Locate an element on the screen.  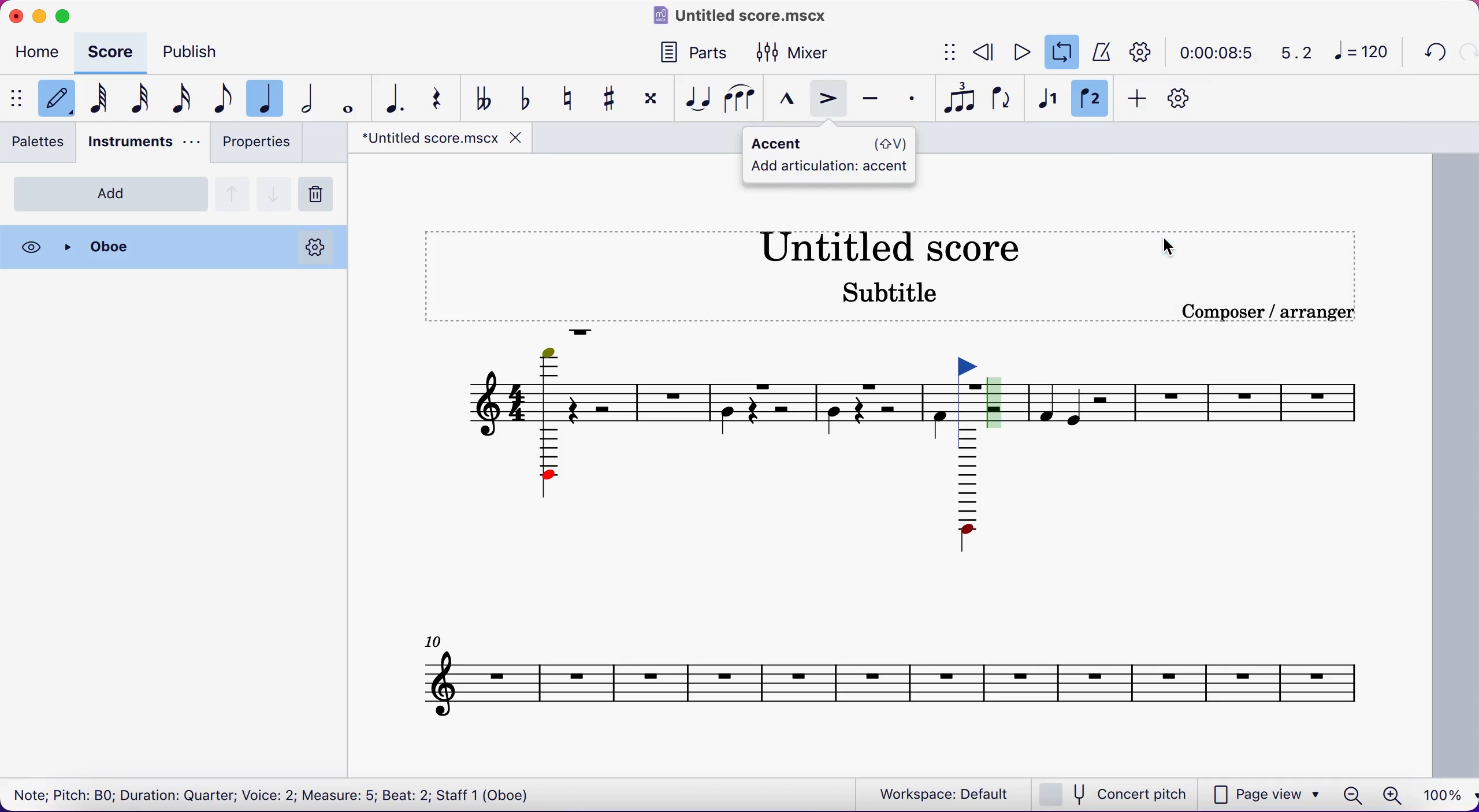
whole note is located at coordinates (345, 98).